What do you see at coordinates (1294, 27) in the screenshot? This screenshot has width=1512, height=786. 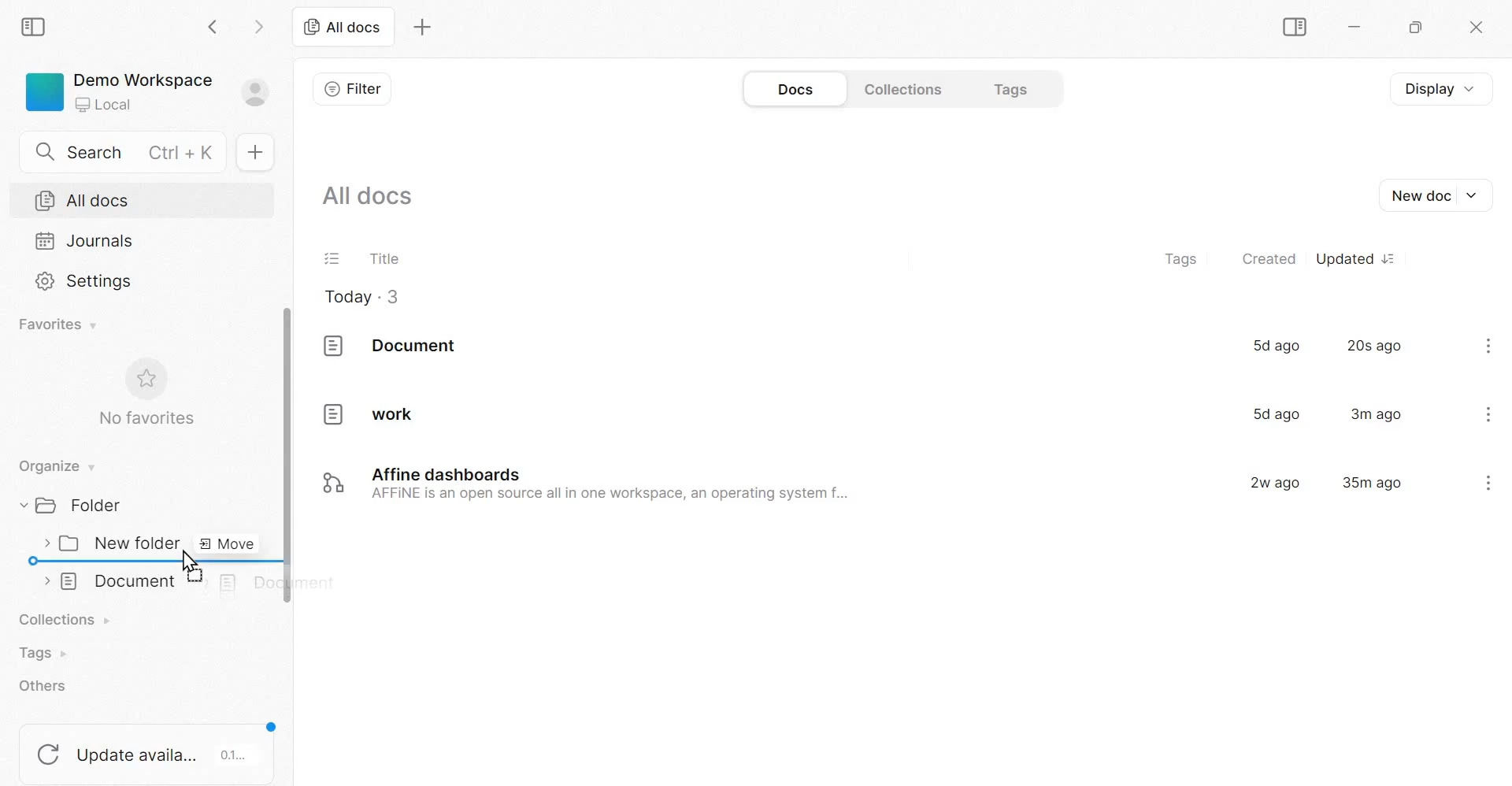 I see `Sidebar Toggle` at bounding box center [1294, 27].